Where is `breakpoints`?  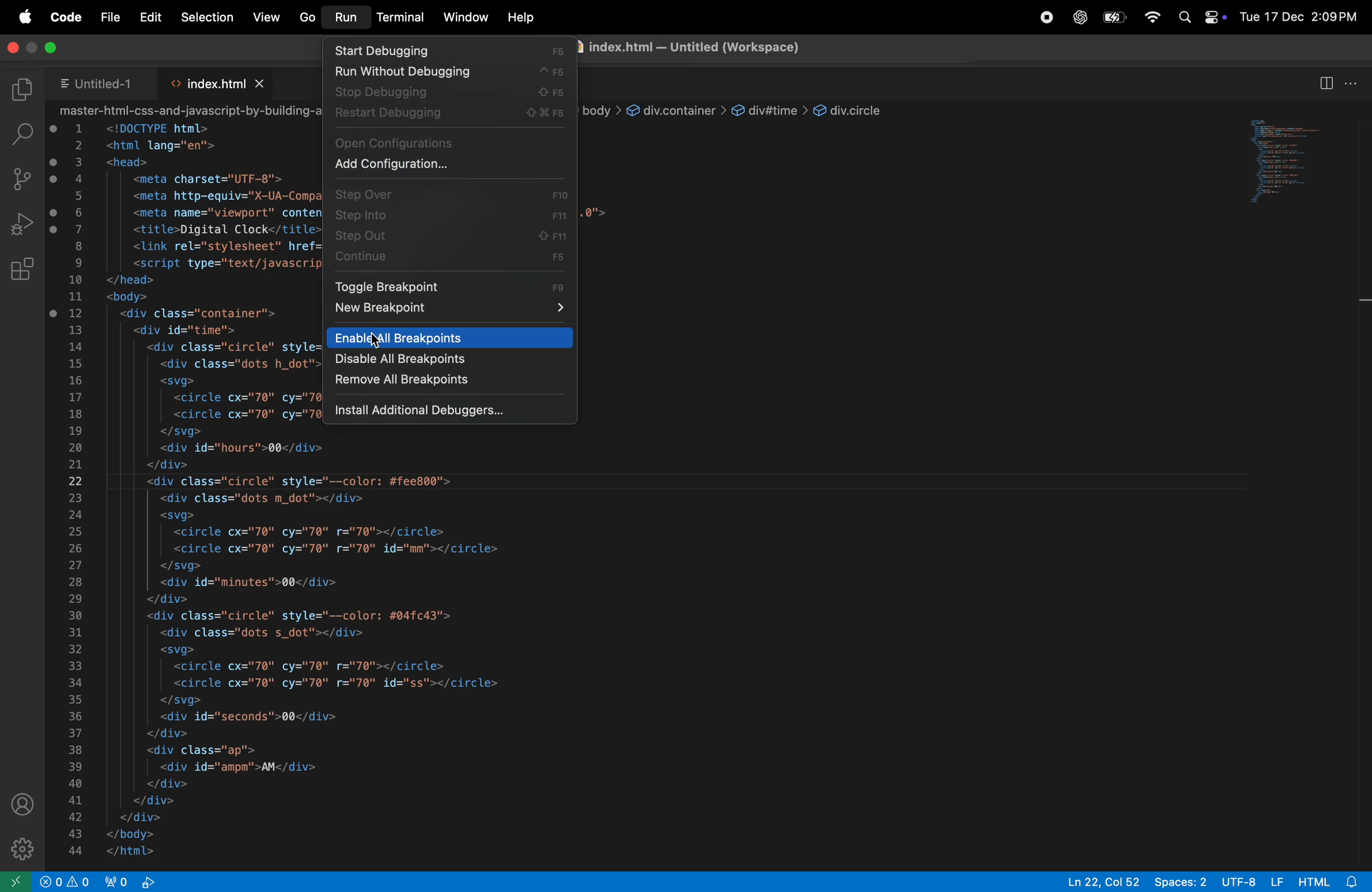
breakpoints is located at coordinates (54, 222).